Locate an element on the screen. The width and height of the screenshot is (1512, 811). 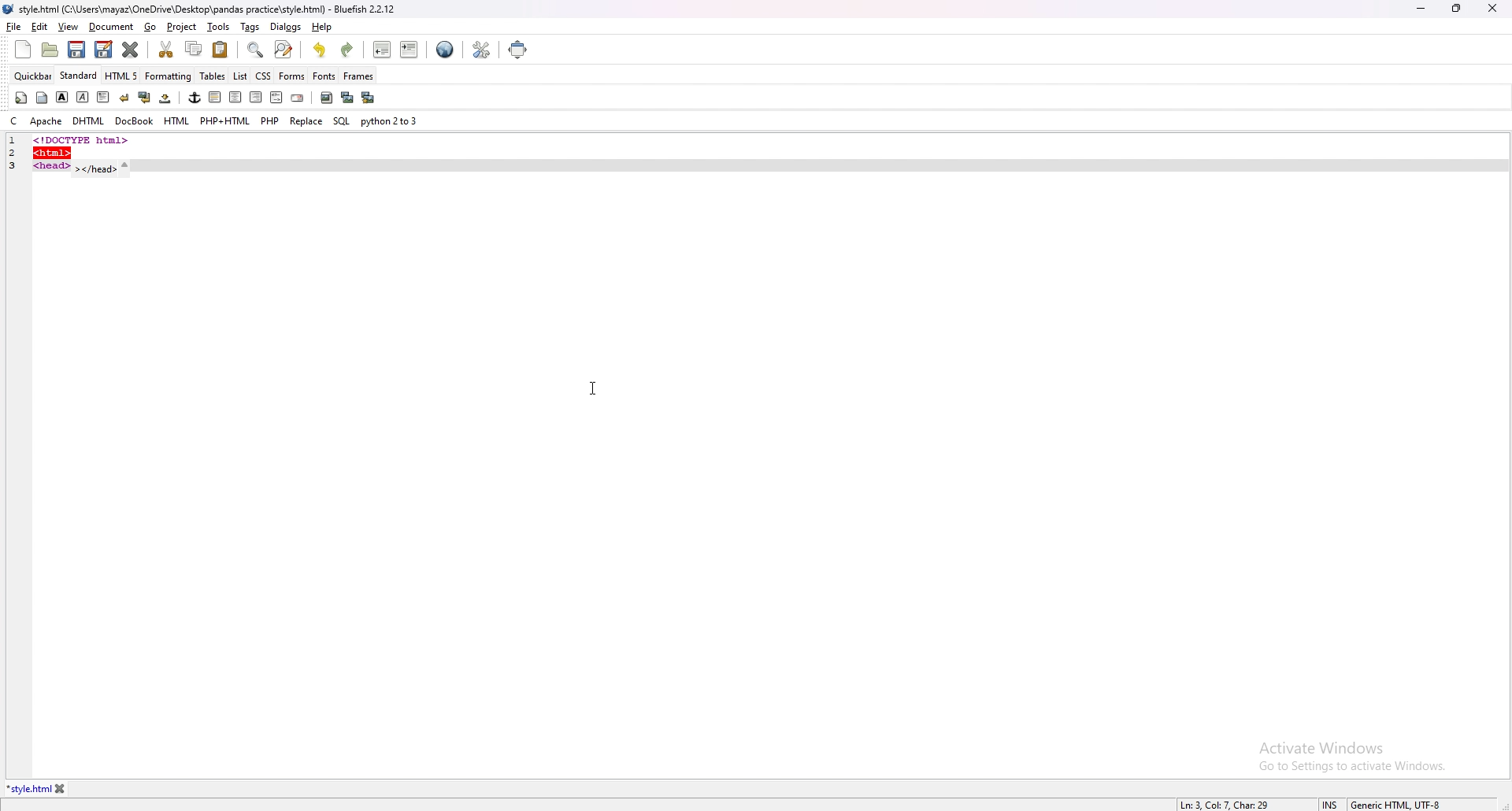
php+html is located at coordinates (225, 121).